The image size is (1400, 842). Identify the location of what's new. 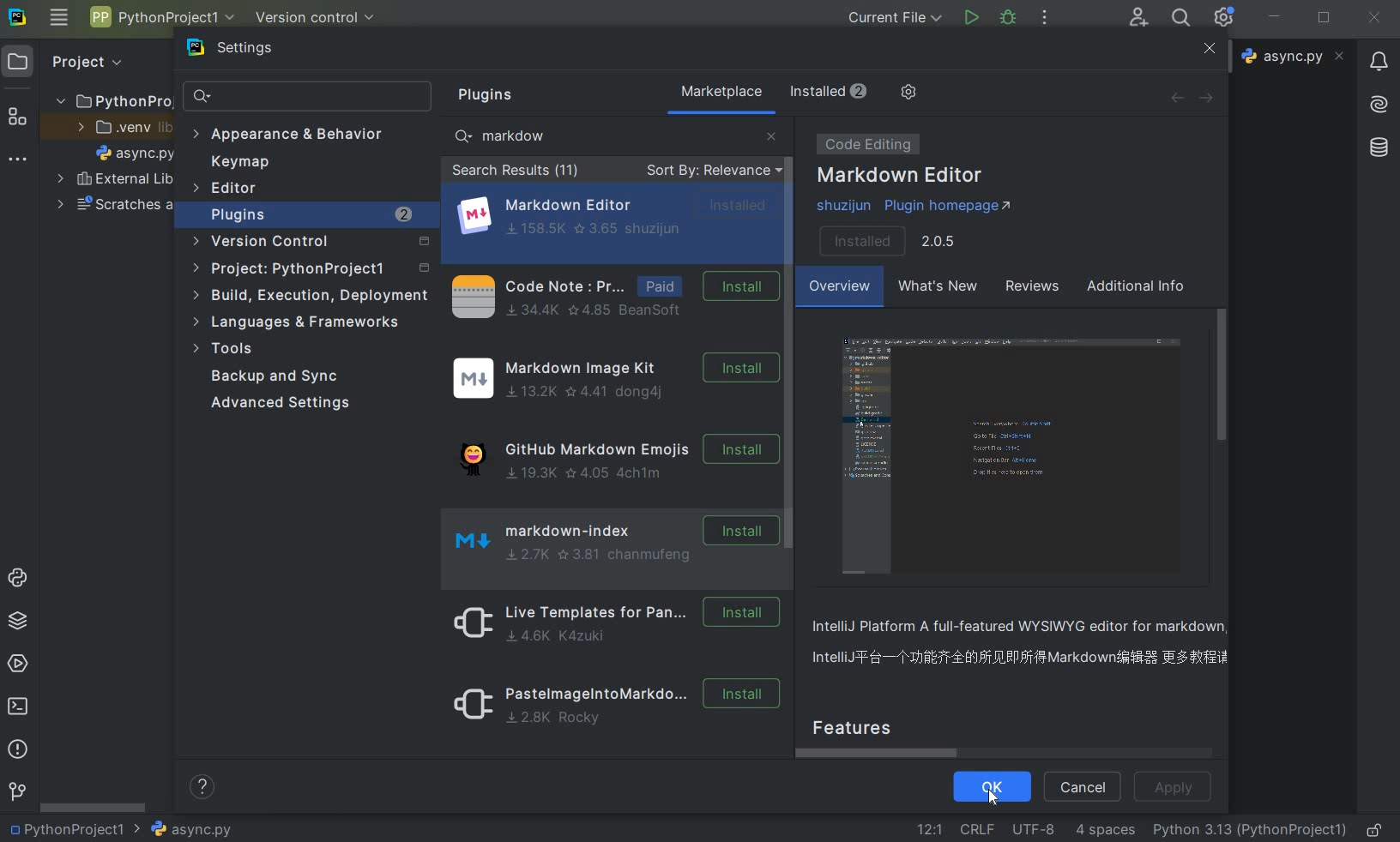
(936, 289).